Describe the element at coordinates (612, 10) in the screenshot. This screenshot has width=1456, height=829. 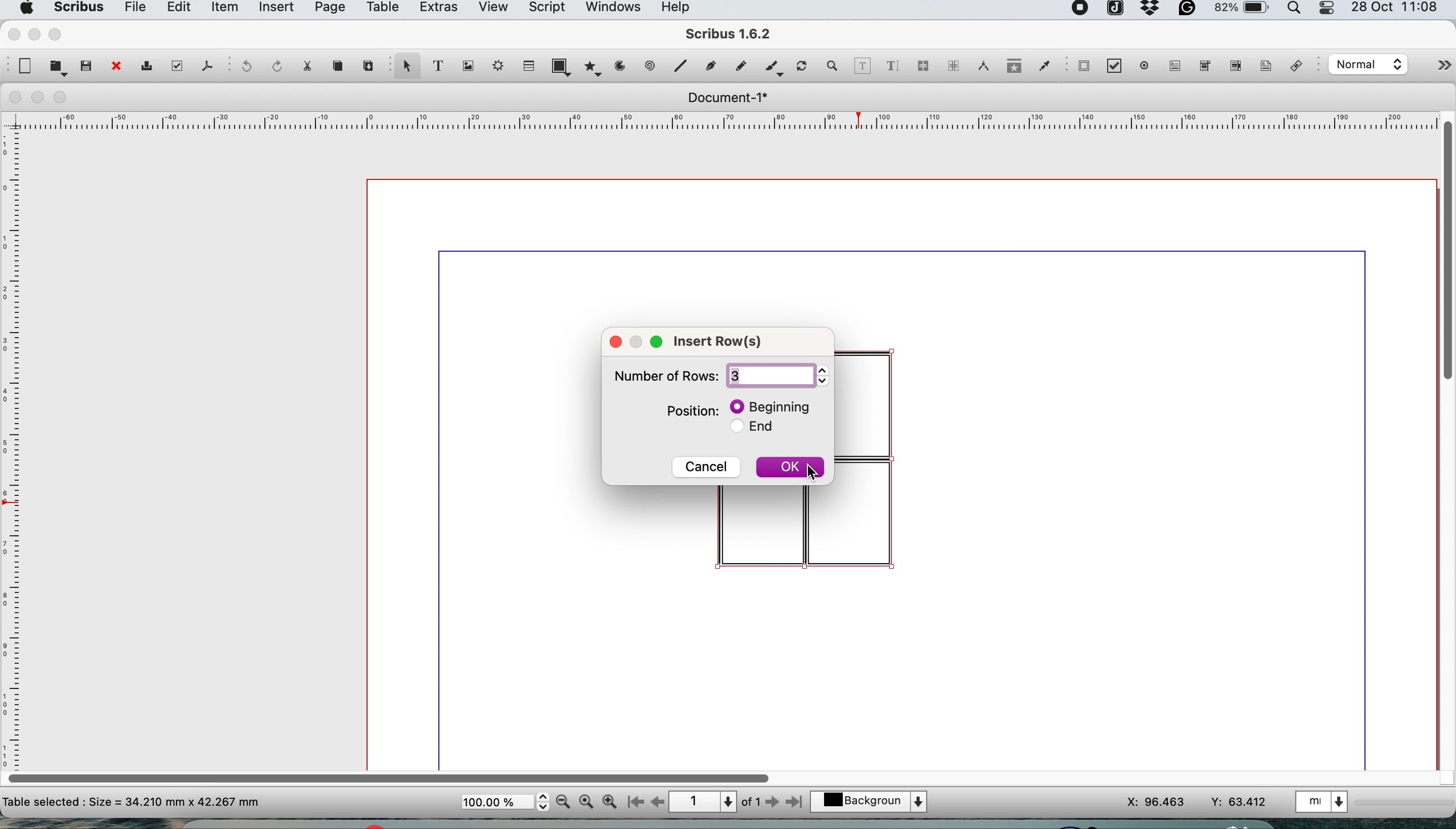
I see `windows` at that location.